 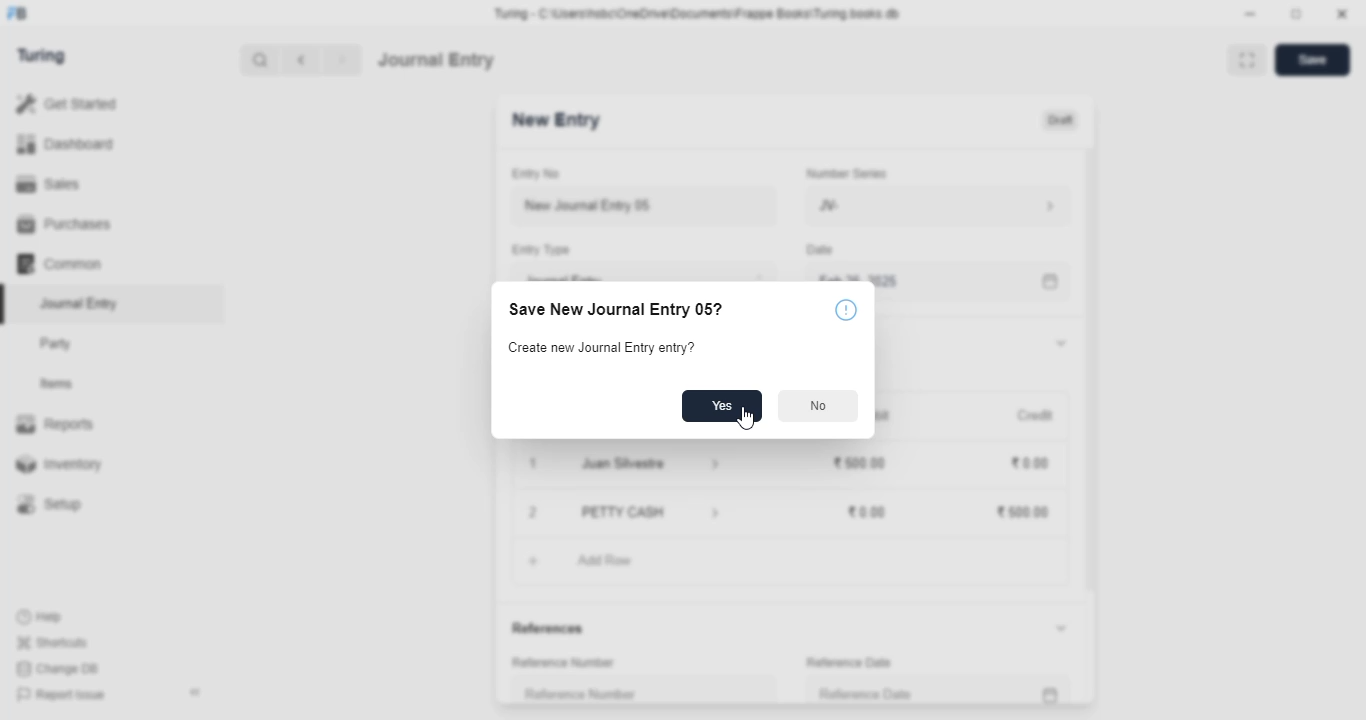 What do you see at coordinates (1031, 463) in the screenshot?
I see `₹0.00` at bounding box center [1031, 463].